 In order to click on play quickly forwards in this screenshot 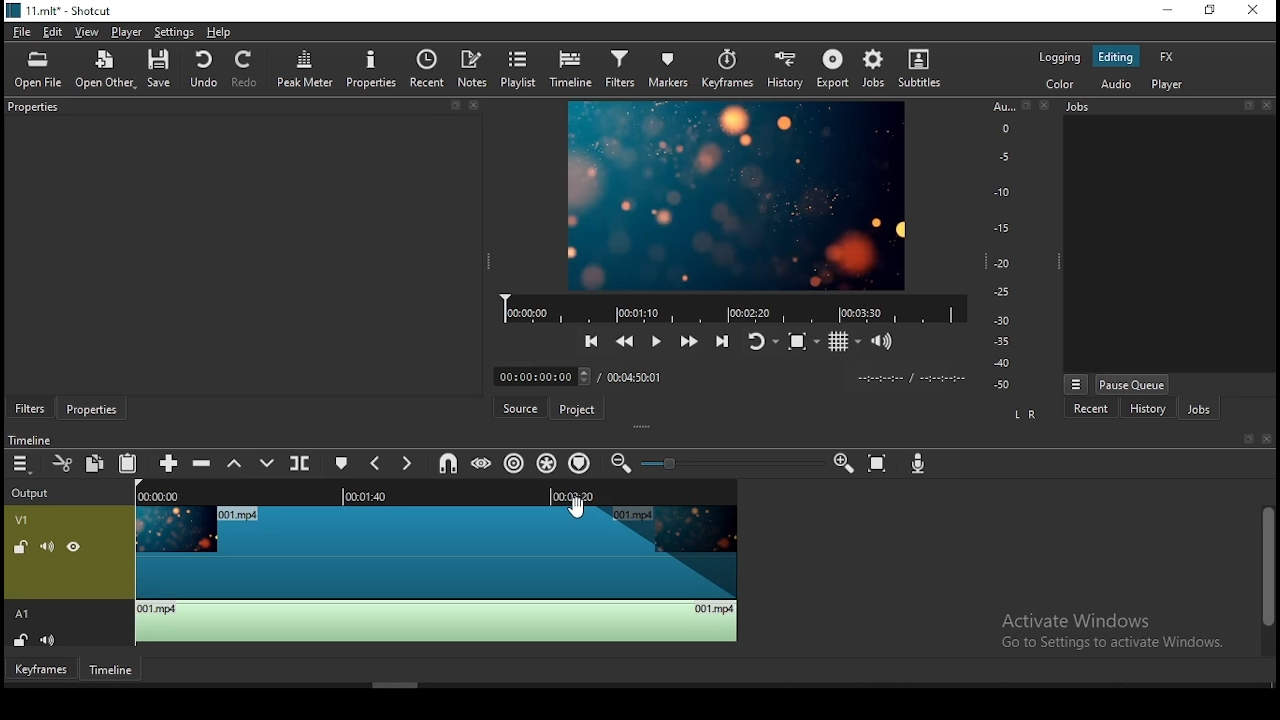, I will do `click(689, 345)`.